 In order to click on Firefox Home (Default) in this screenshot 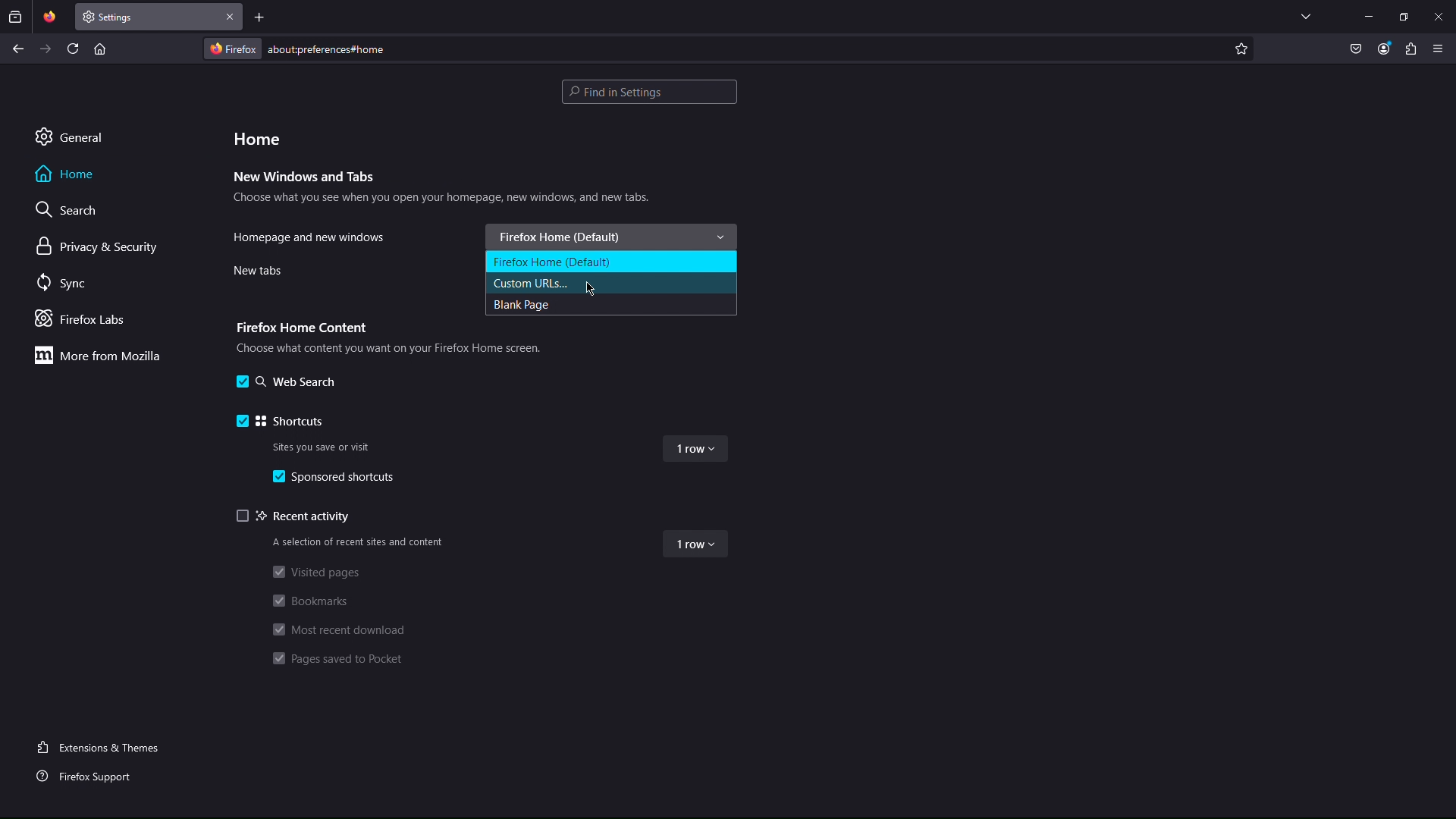, I will do `click(611, 262)`.